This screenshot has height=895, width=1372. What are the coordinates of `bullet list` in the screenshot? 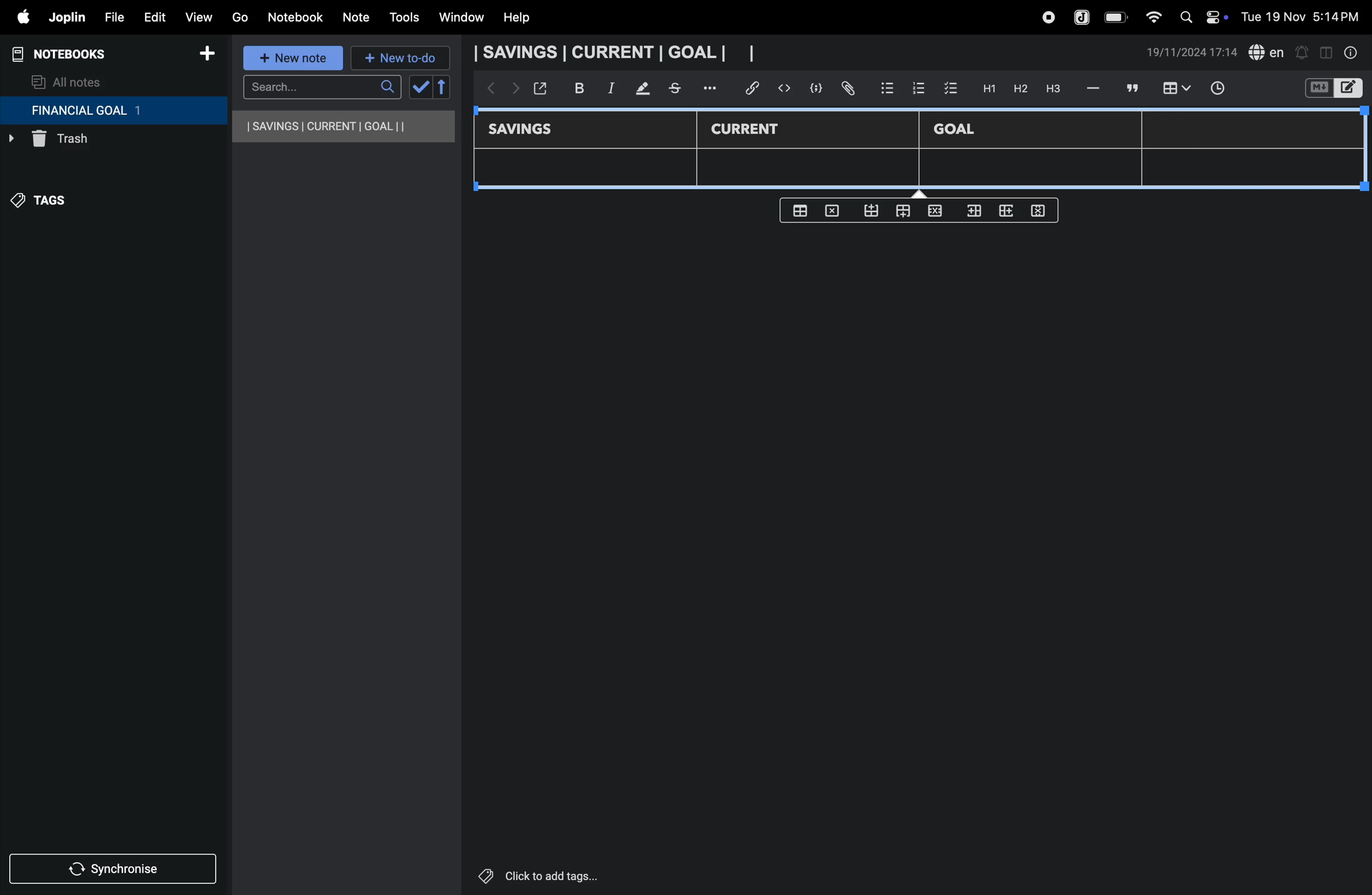 It's located at (887, 87).